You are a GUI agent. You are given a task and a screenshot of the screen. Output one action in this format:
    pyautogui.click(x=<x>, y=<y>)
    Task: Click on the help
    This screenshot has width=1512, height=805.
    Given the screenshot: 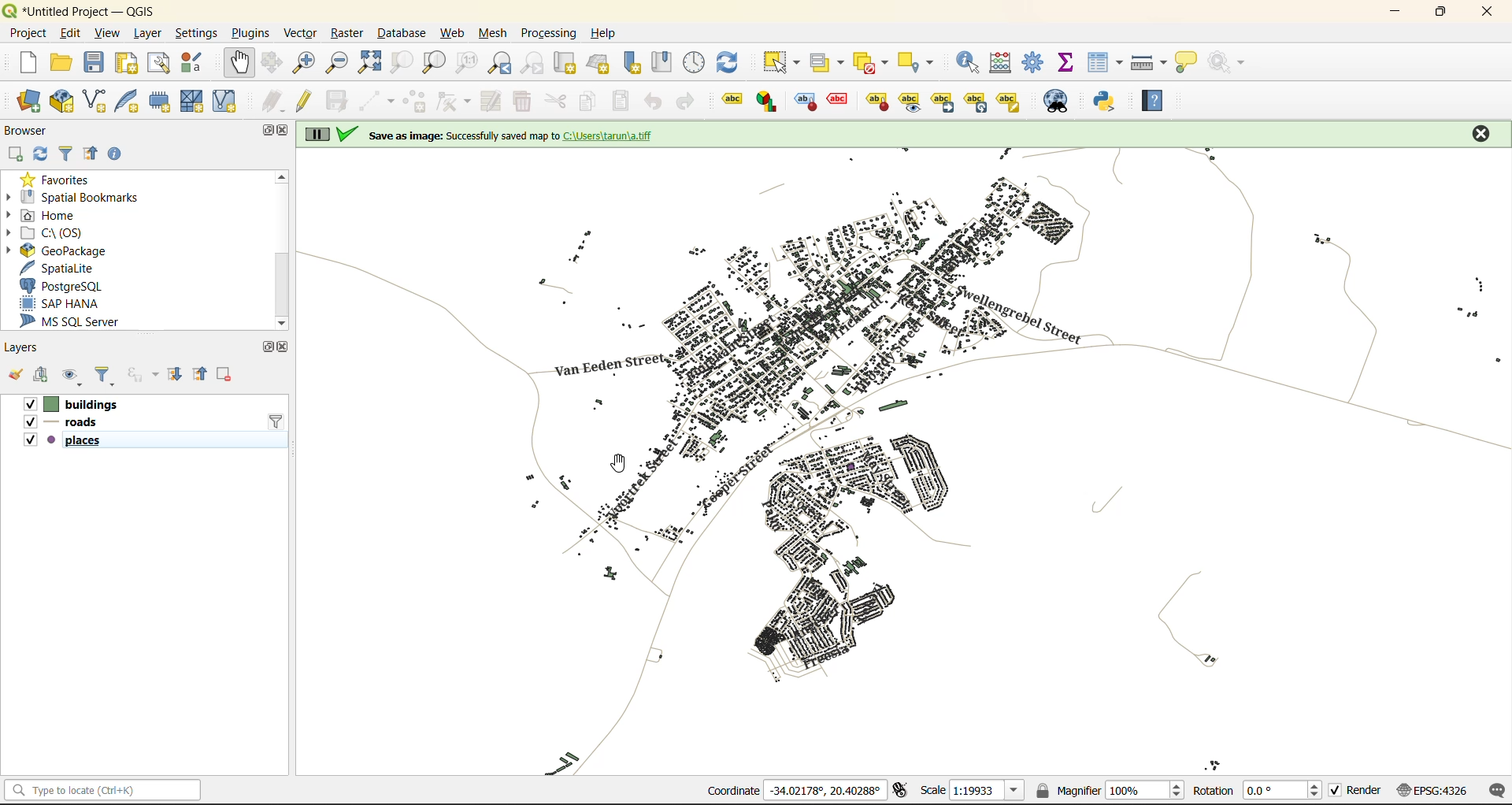 What is the action you would take?
    pyautogui.click(x=606, y=33)
    